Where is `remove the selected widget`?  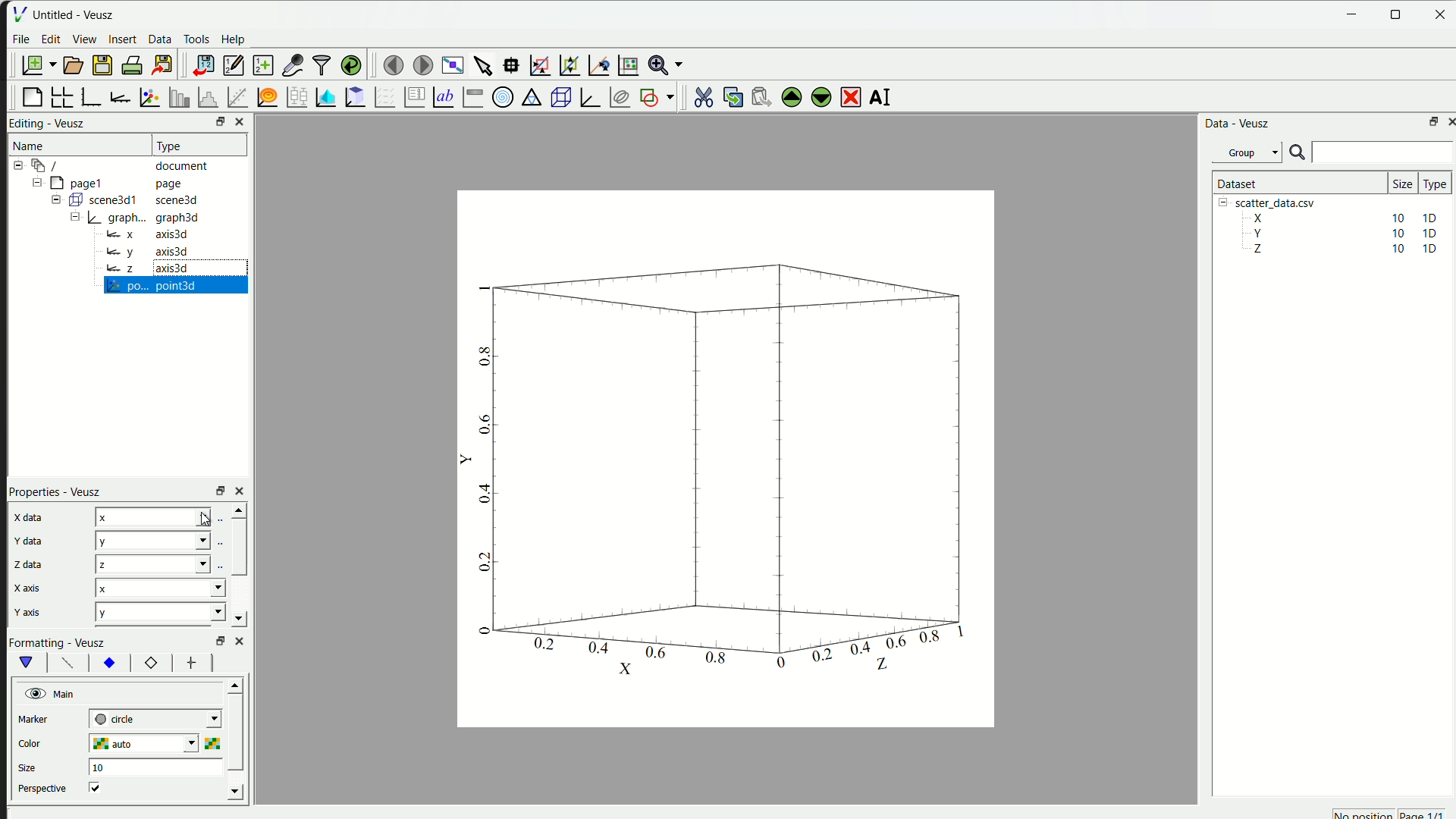
remove the selected widget is located at coordinates (848, 96).